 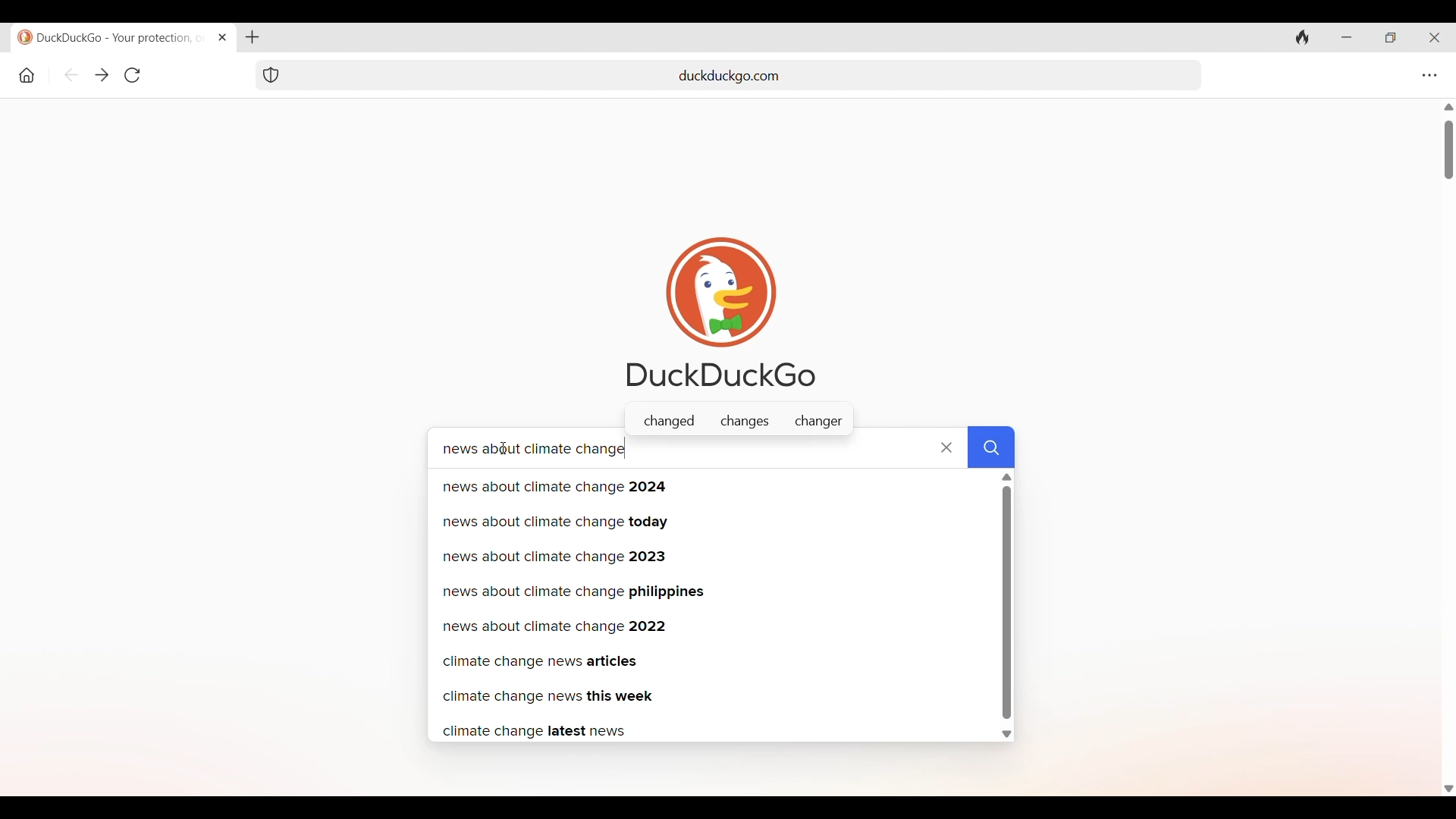 What do you see at coordinates (743, 76) in the screenshot?
I see `add url` at bounding box center [743, 76].